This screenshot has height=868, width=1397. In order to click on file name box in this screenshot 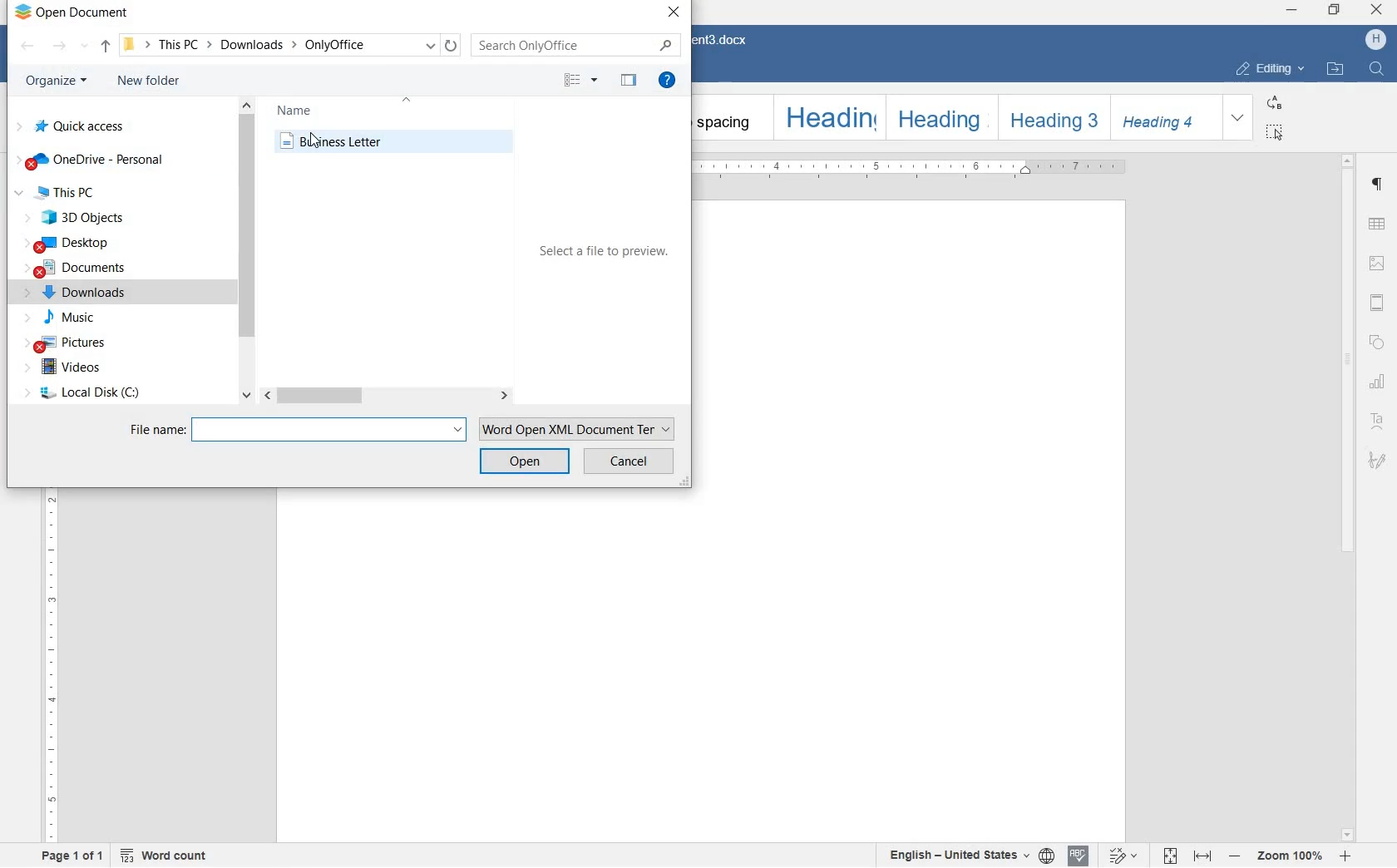, I will do `click(329, 430)`.